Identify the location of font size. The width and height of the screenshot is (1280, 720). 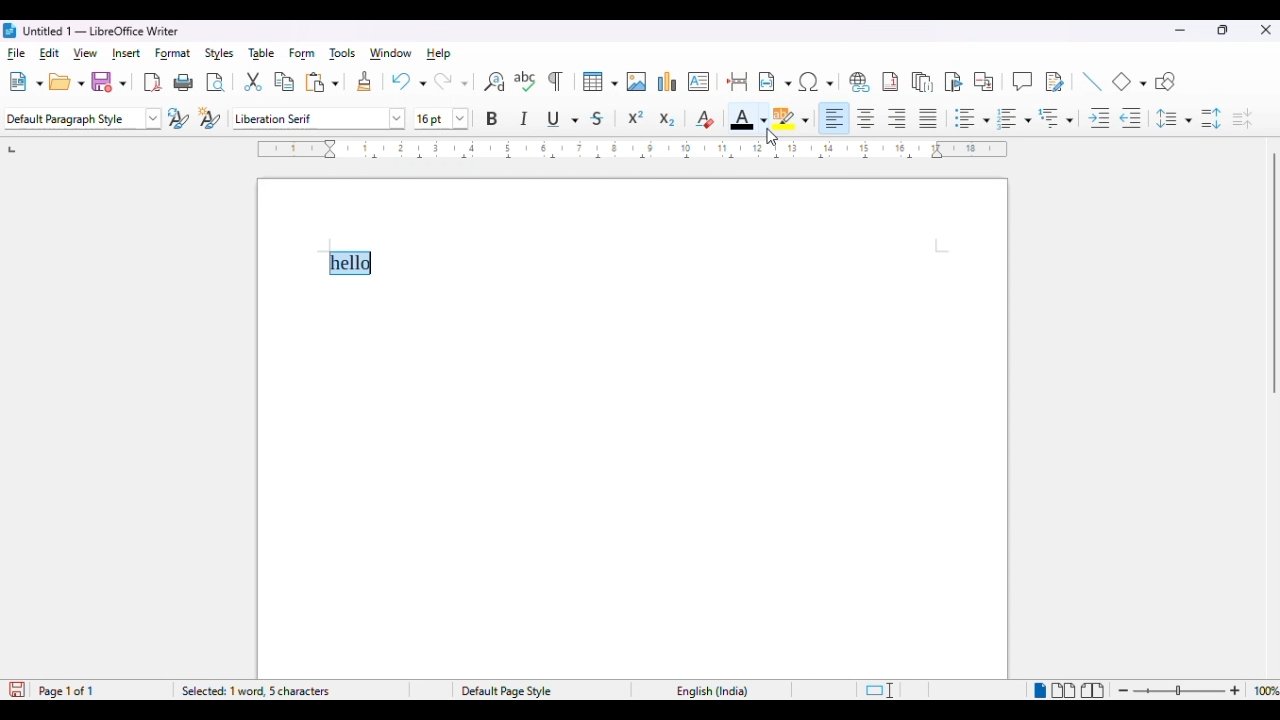
(442, 119).